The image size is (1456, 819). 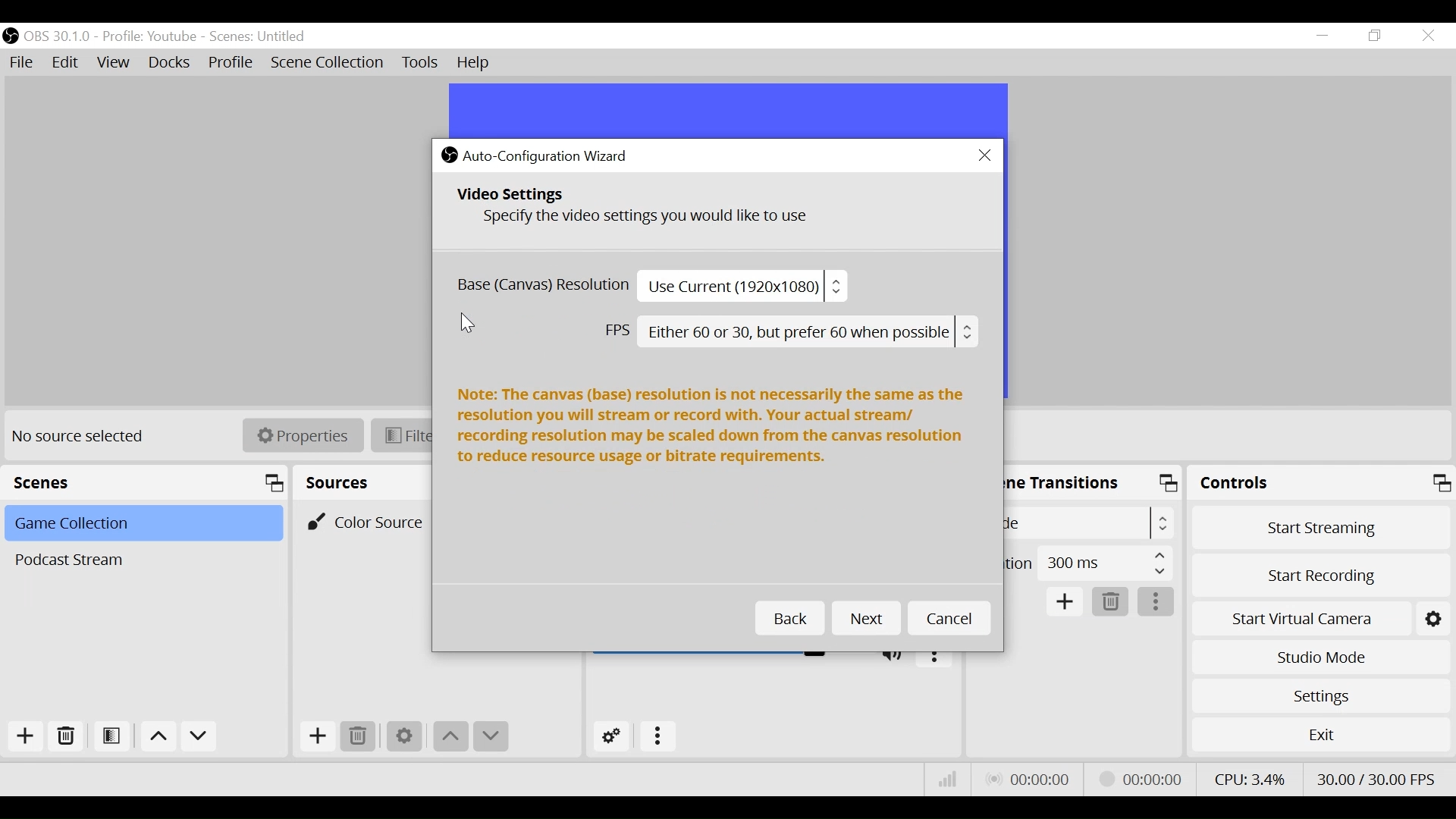 I want to click on Properties, so click(x=303, y=435).